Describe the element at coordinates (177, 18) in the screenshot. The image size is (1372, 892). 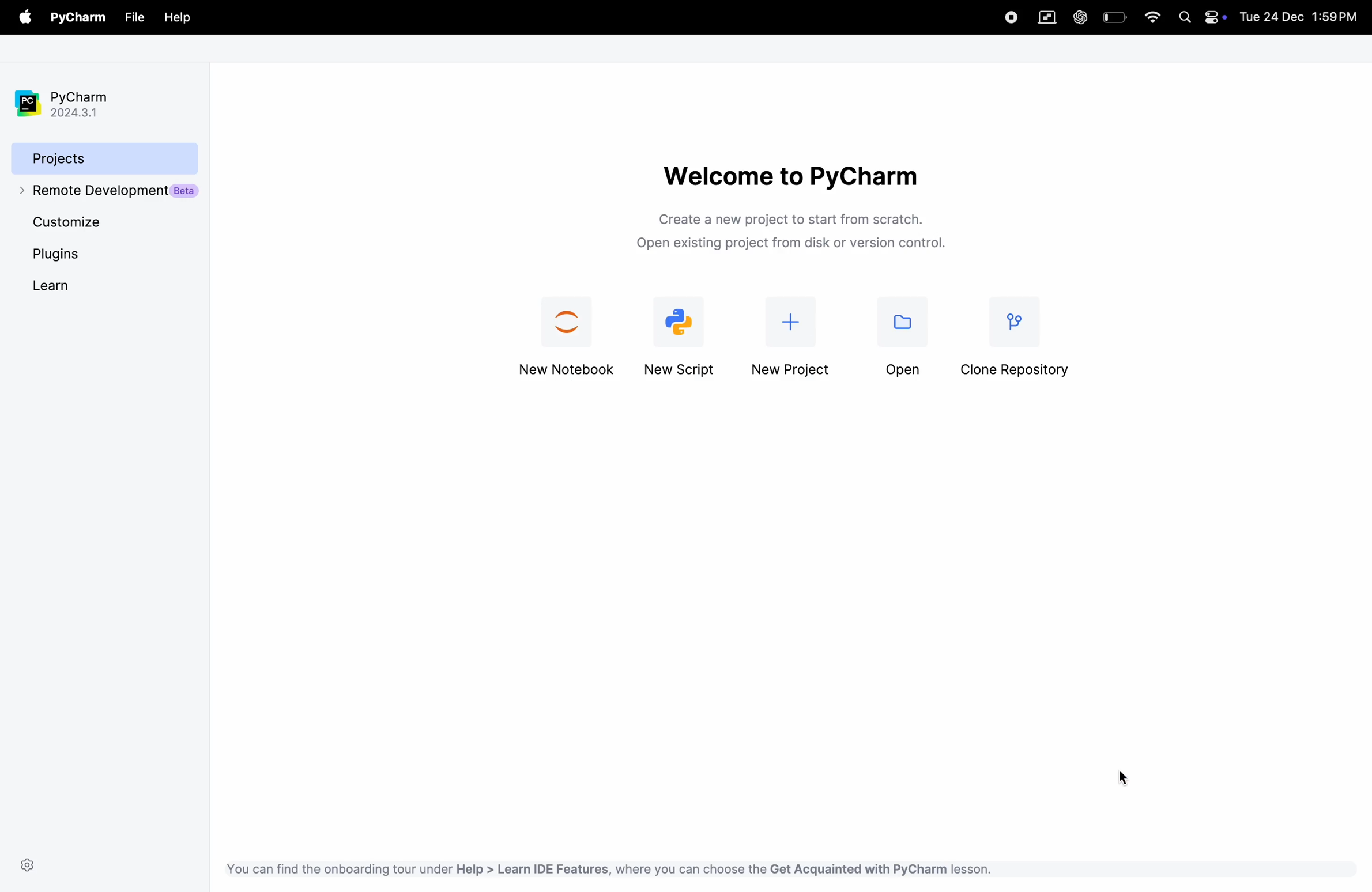
I see `file` at that location.